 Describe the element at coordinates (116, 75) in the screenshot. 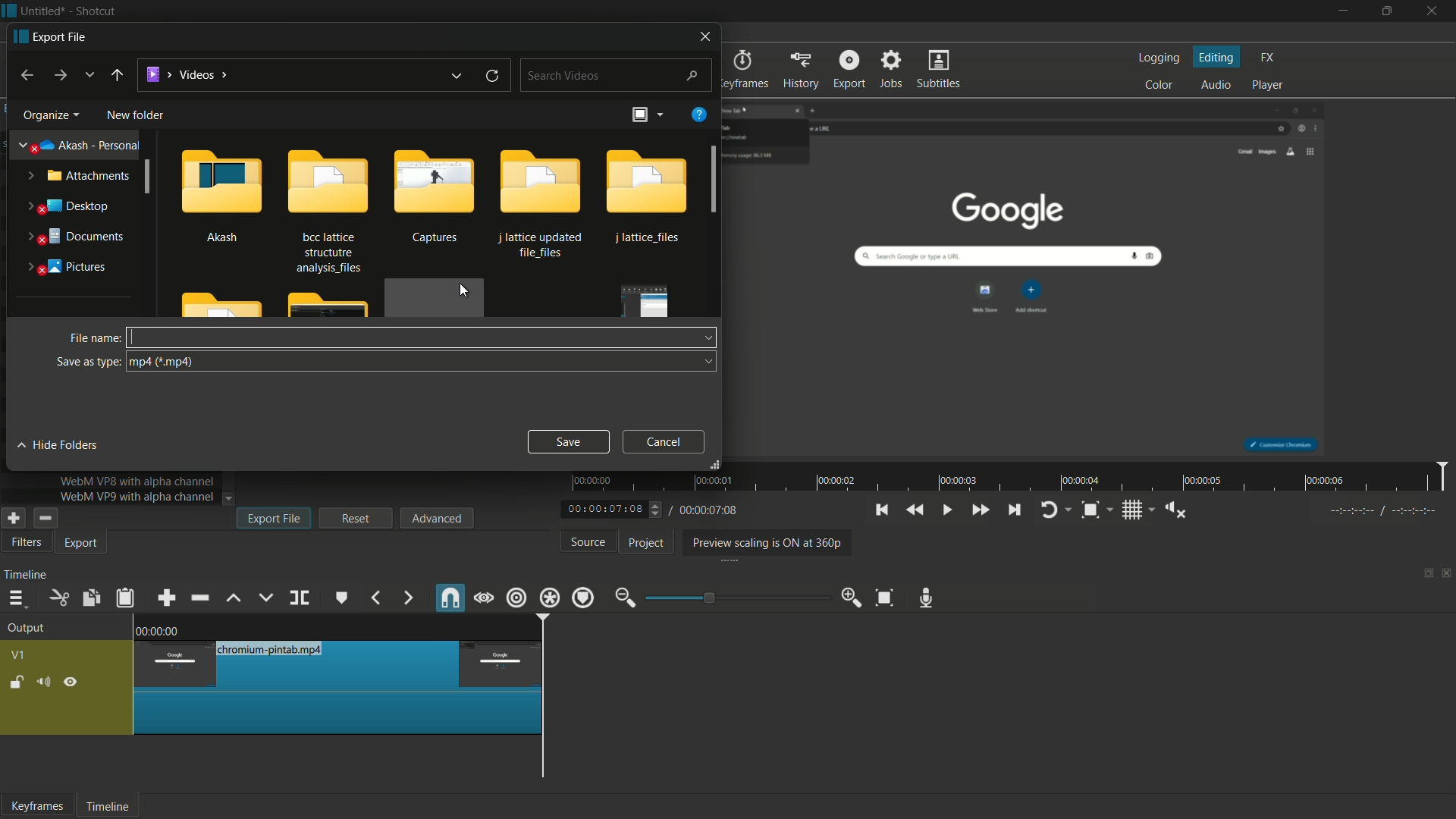

I see `back` at that location.